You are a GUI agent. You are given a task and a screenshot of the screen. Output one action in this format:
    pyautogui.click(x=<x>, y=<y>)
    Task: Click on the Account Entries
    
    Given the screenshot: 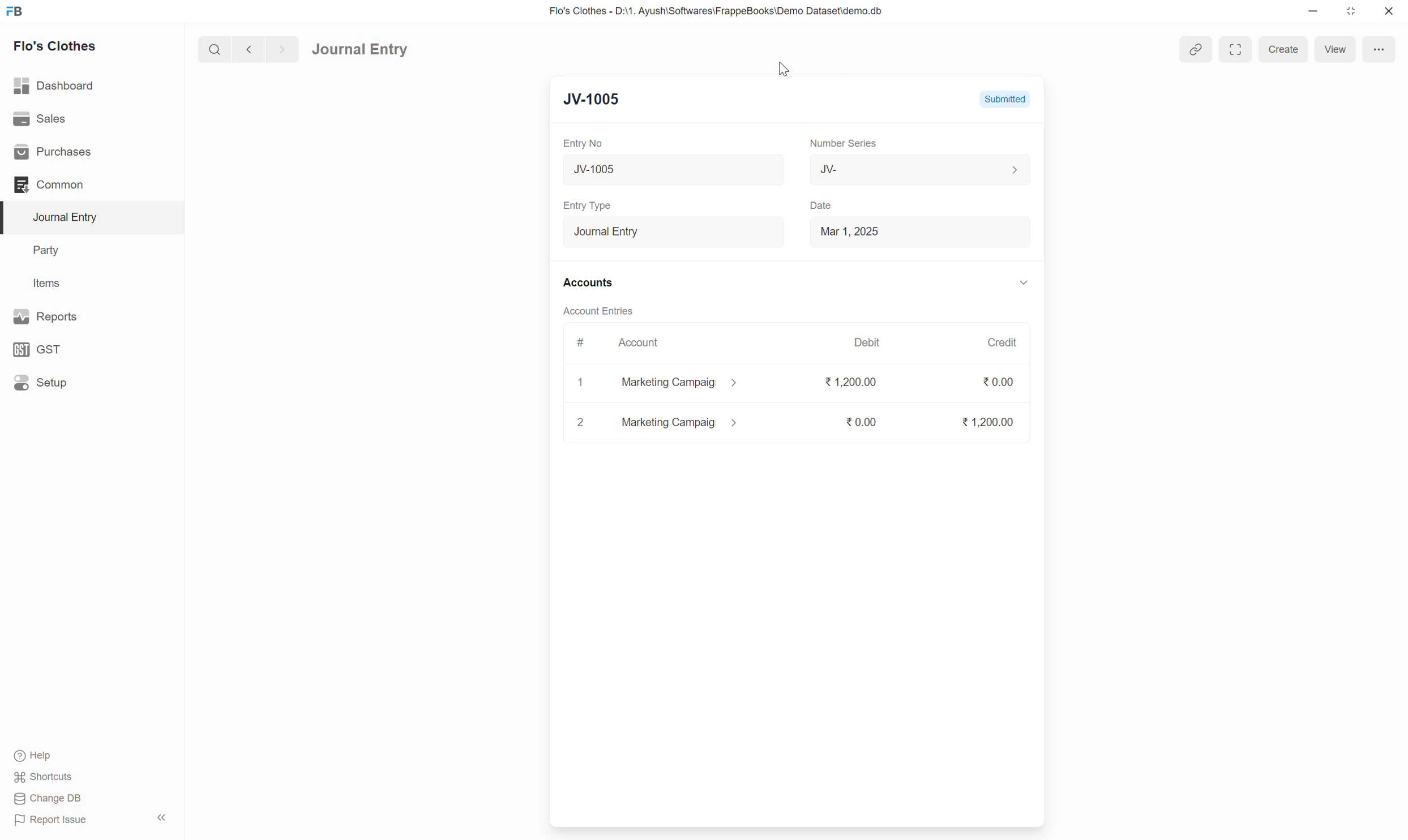 What is the action you would take?
    pyautogui.click(x=599, y=310)
    